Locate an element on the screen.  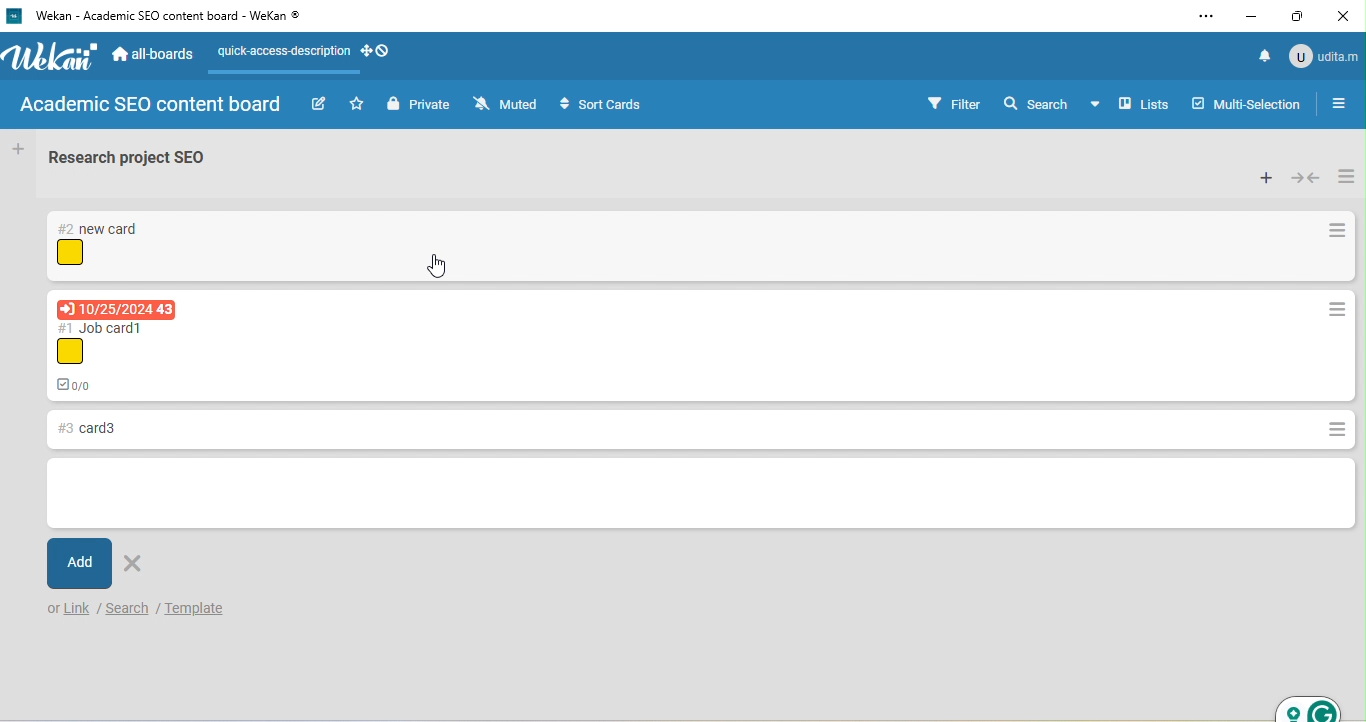
minimize is located at coordinates (1253, 17).